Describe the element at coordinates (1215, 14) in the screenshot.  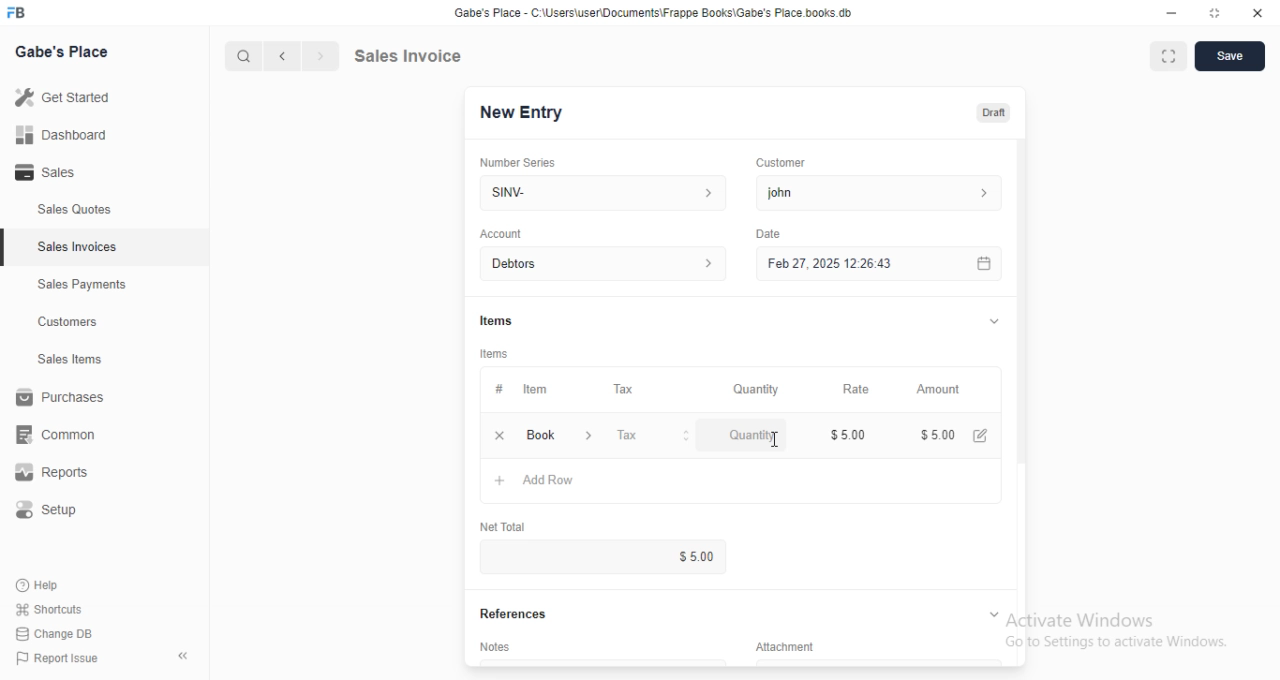
I see `Expand` at that location.